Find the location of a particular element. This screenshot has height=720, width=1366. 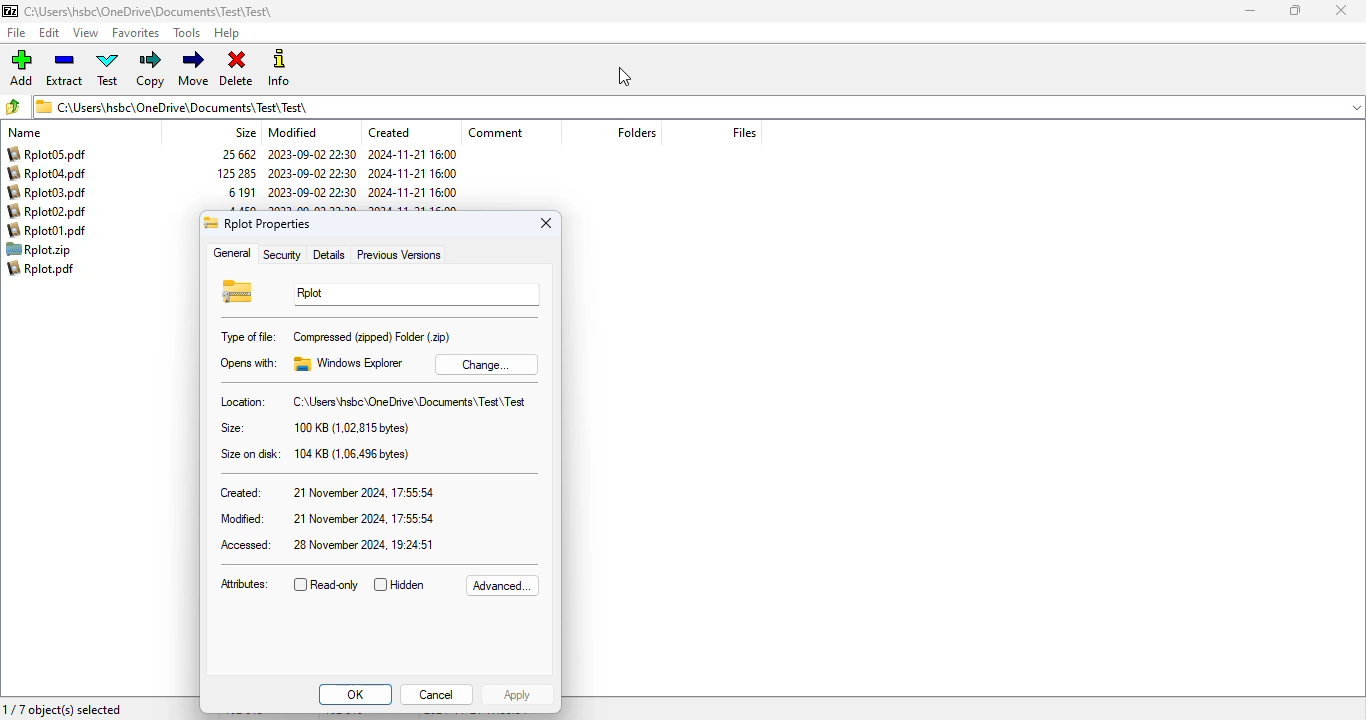

modified is located at coordinates (293, 133).